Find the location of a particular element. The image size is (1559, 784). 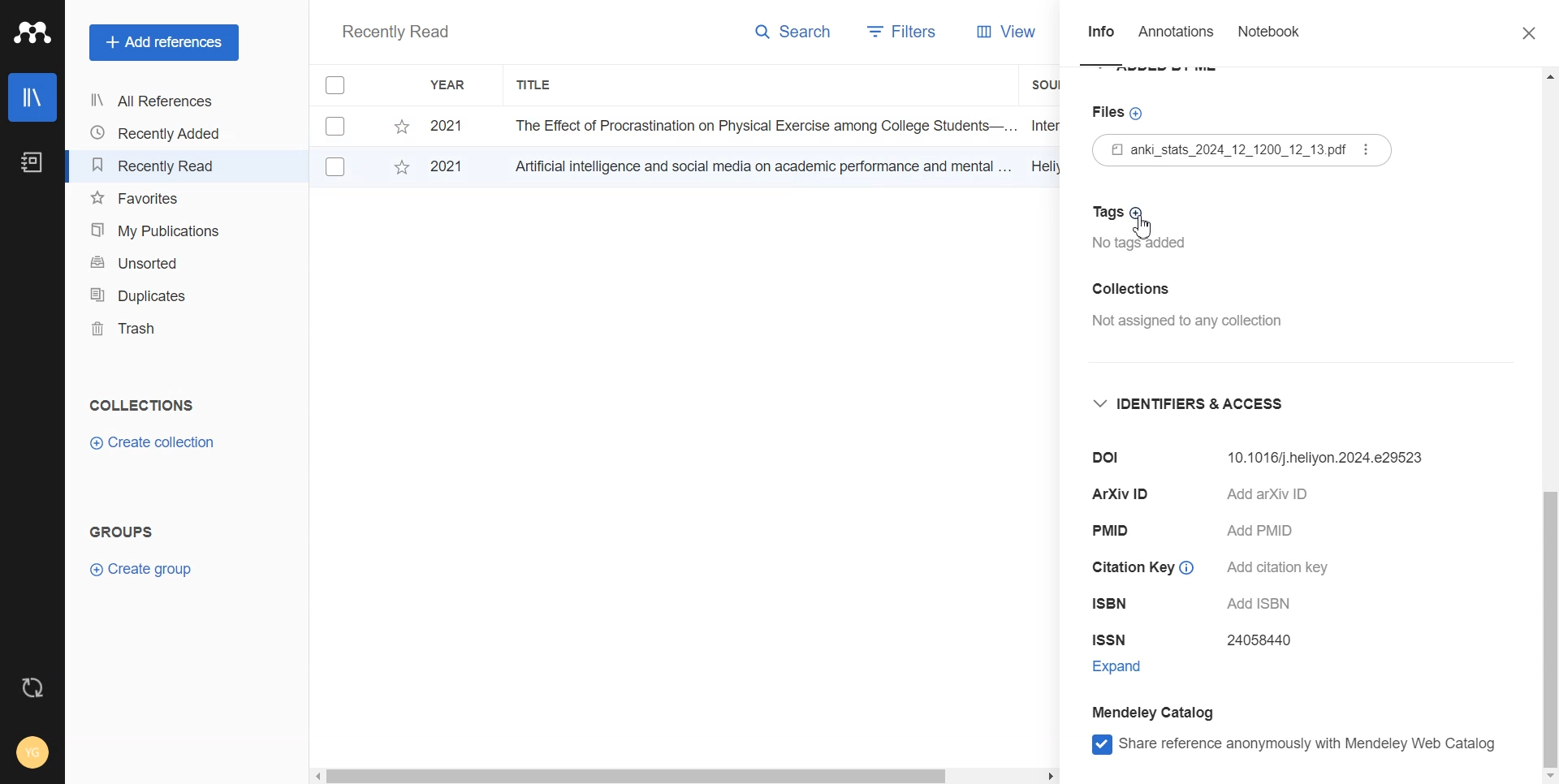

Annotations is located at coordinates (1178, 36).